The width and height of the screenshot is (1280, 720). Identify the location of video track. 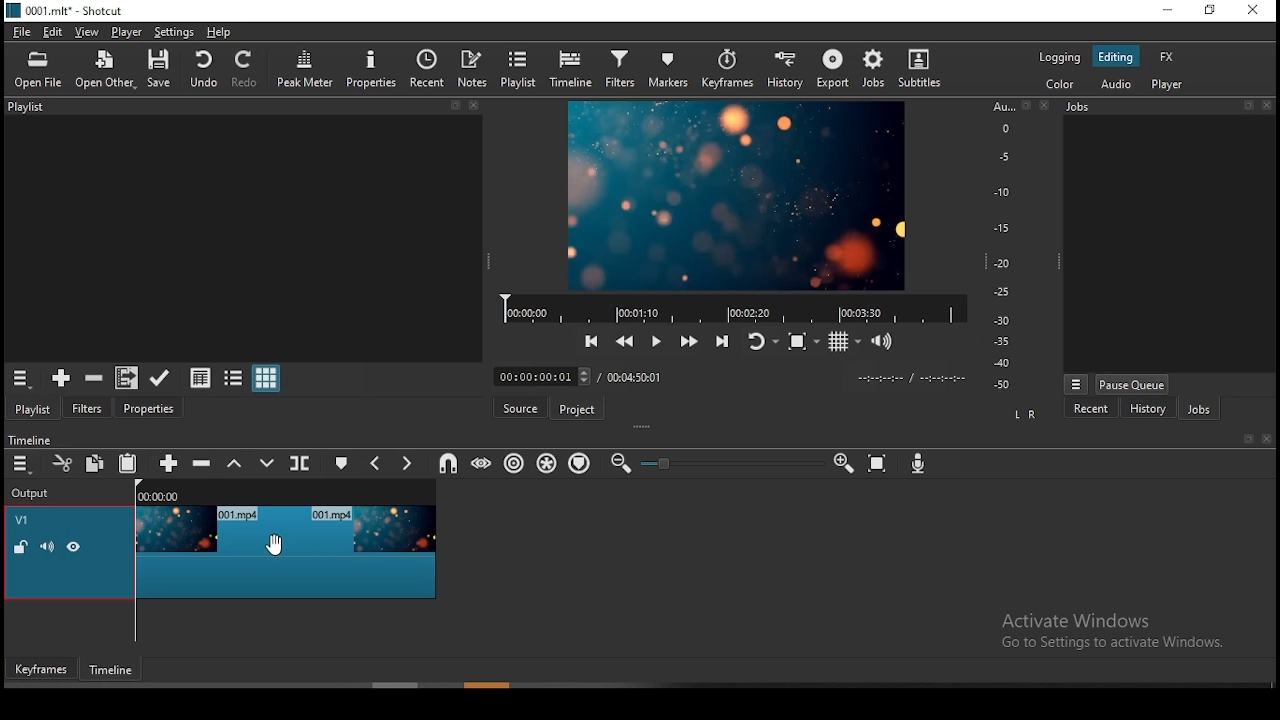
(221, 551).